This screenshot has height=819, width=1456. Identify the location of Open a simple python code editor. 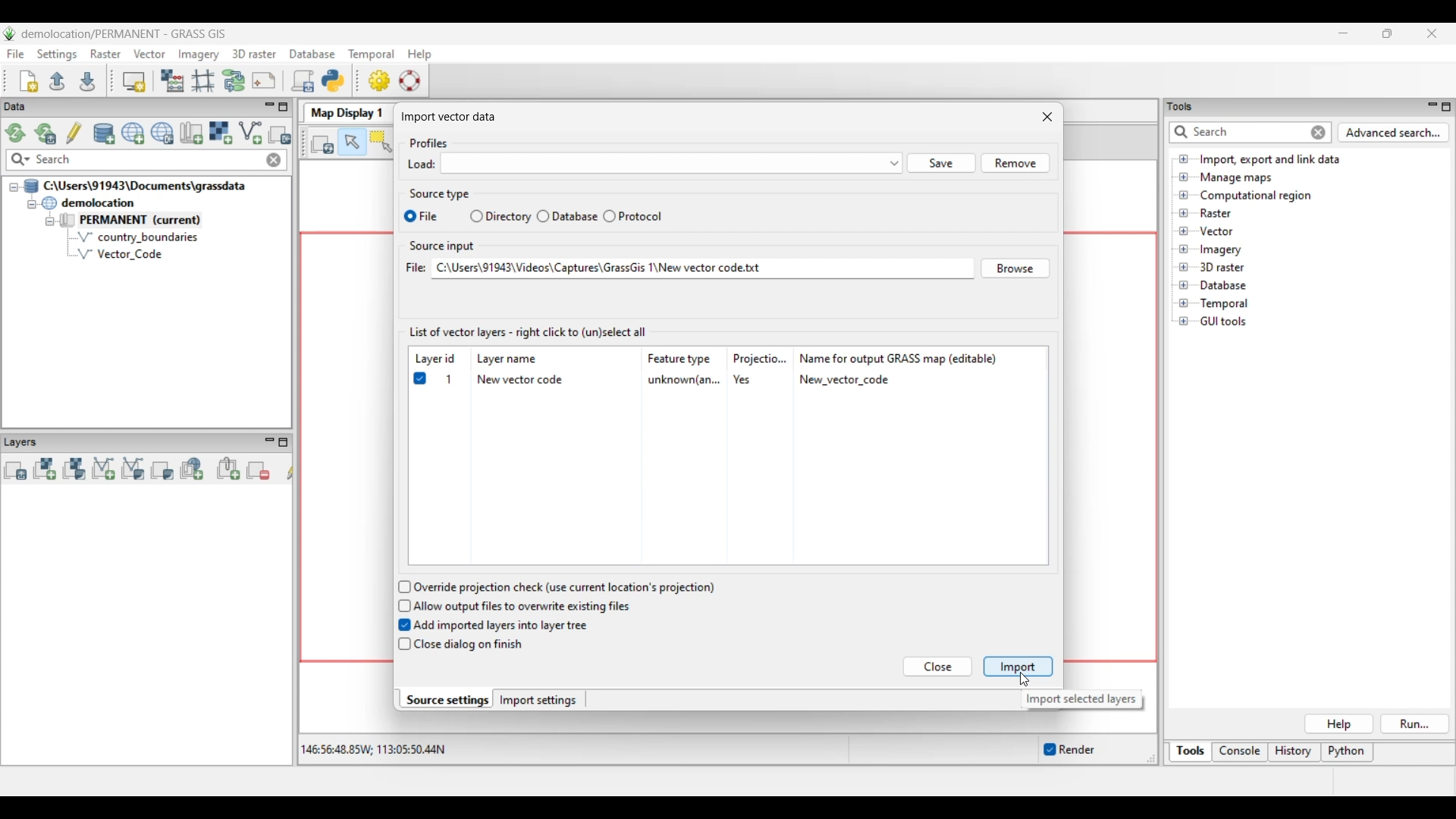
(333, 80).